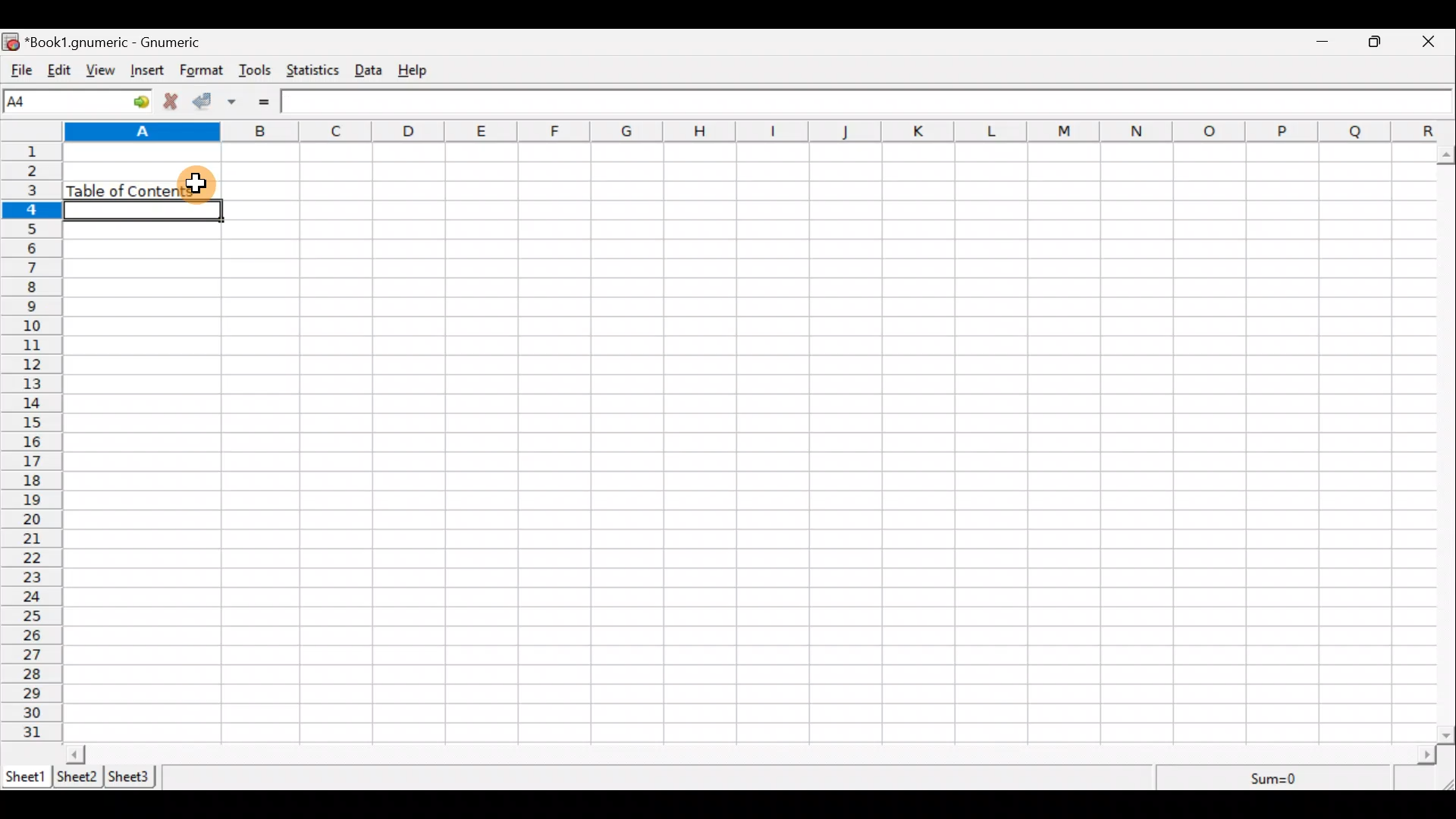 Image resolution: width=1456 pixels, height=819 pixels. What do you see at coordinates (1447, 441) in the screenshot?
I see `Scroll bar` at bounding box center [1447, 441].